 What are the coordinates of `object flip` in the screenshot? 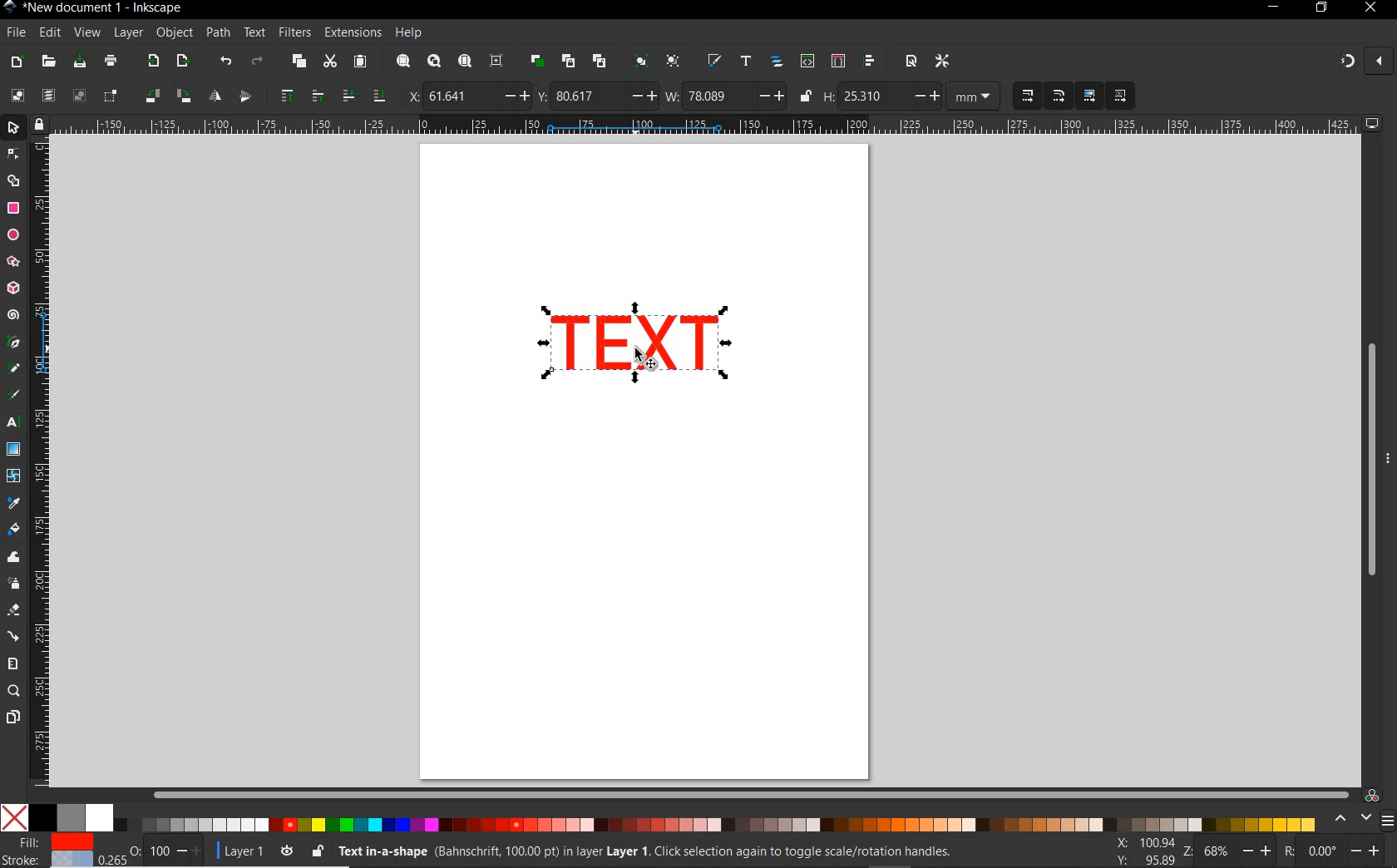 It's located at (228, 96).